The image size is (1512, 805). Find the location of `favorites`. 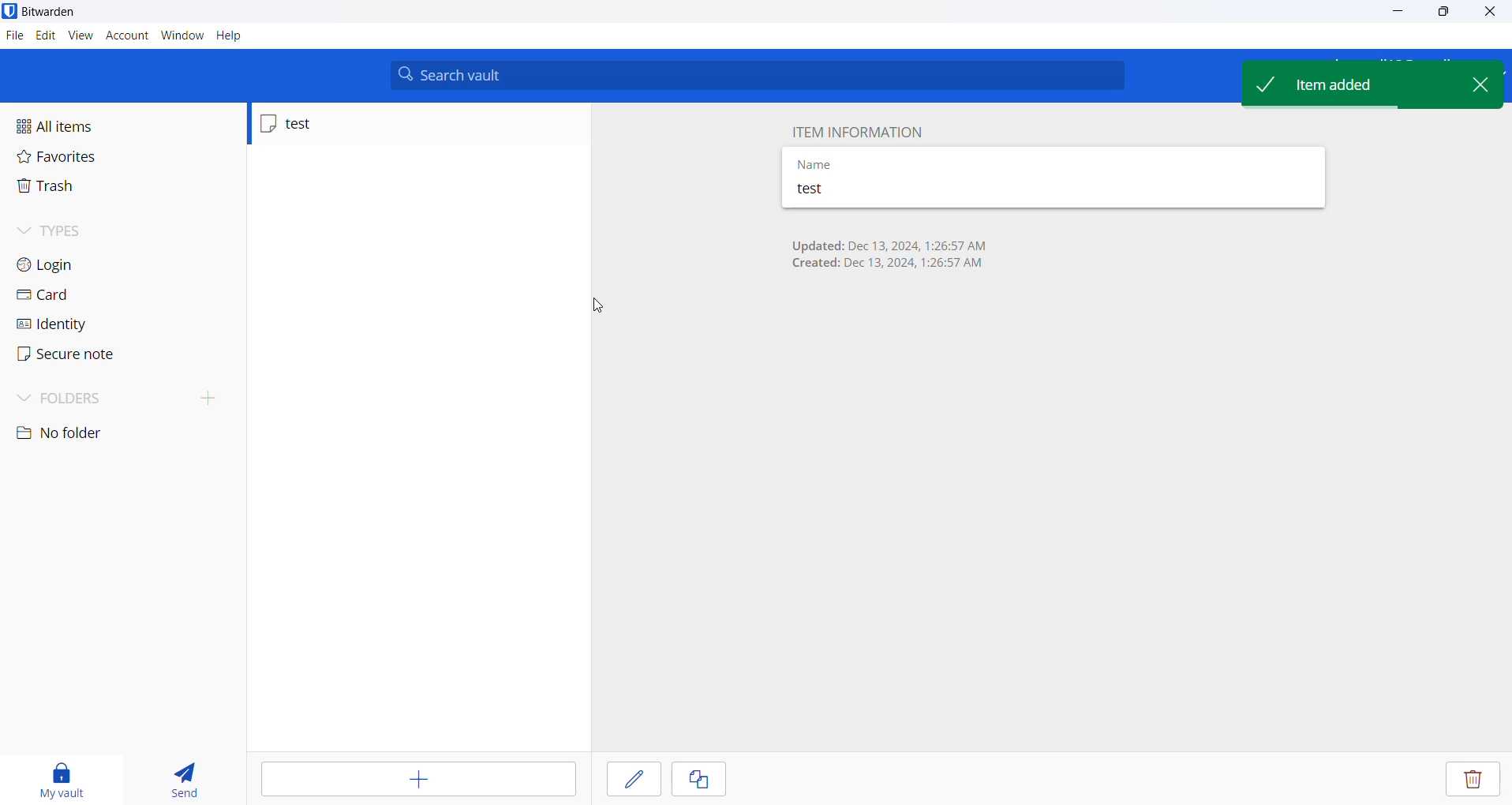

favorites is located at coordinates (80, 159).